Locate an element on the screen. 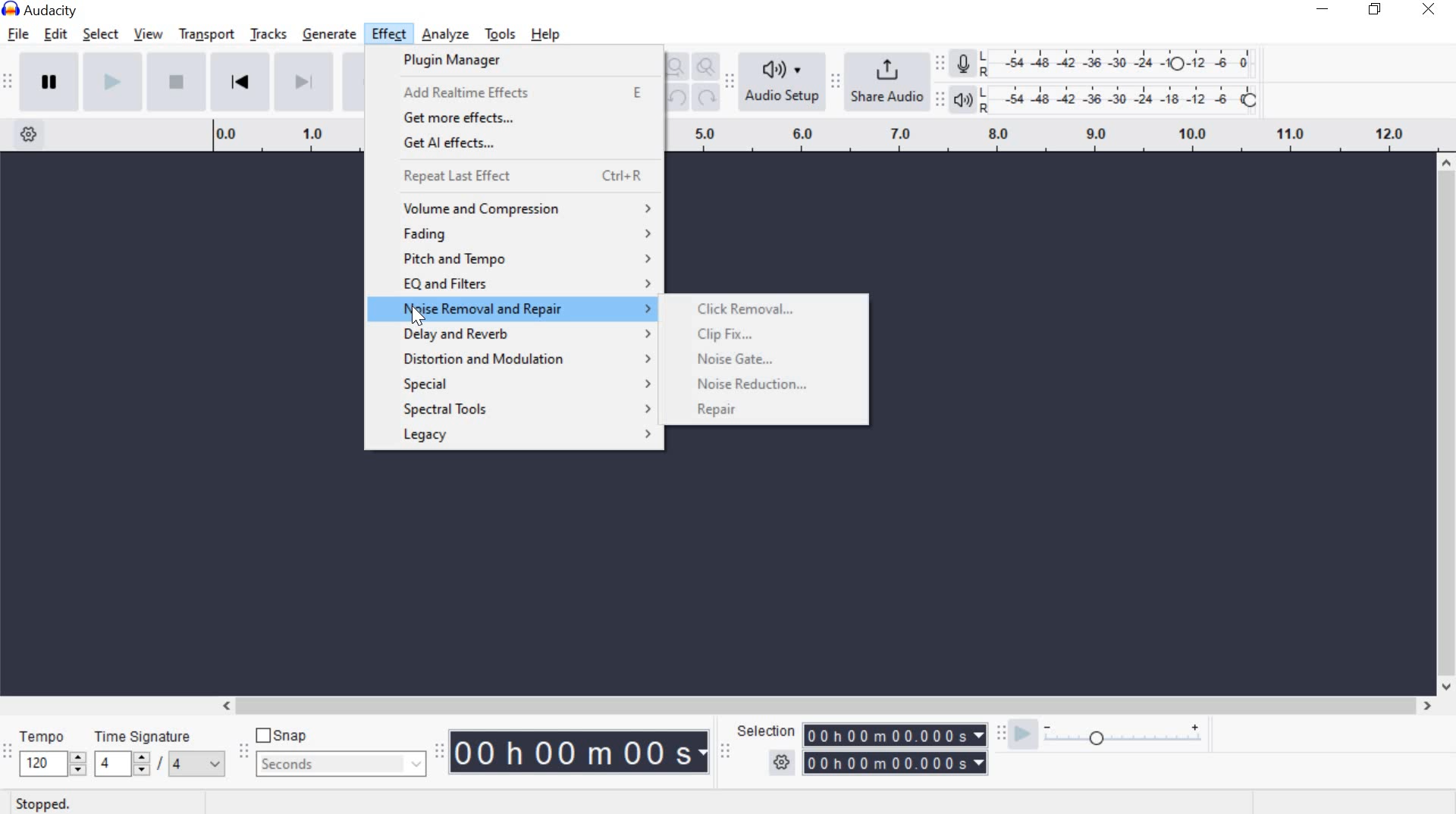 The height and width of the screenshot is (814, 1456). Audacity Time is located at coordinates (581, 751).